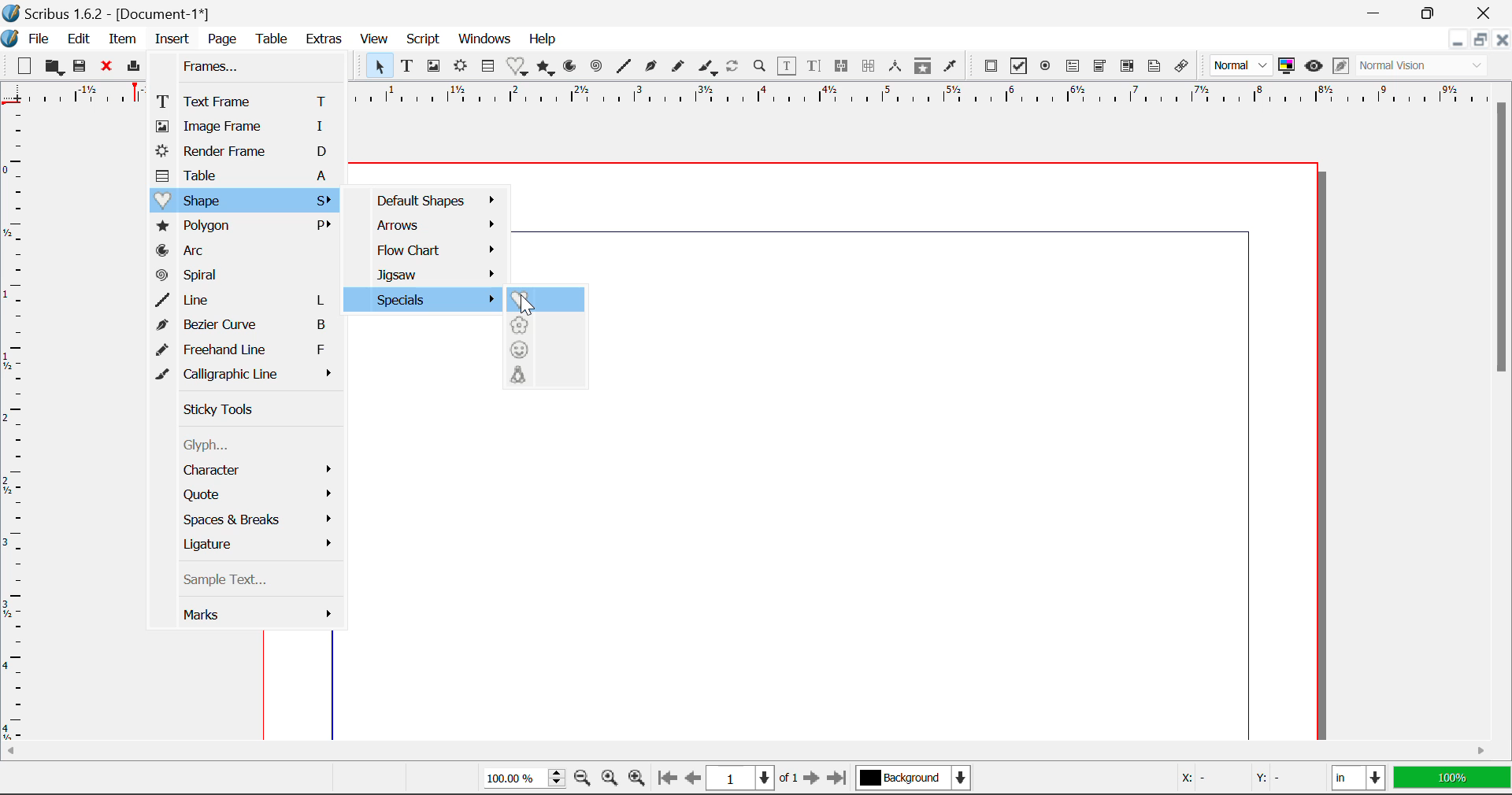 Image resolution: width=1512 pixels, height=795 pixels. Describe the element at coordinates (245, 176) in the screenshot. I see `Table` at that location.